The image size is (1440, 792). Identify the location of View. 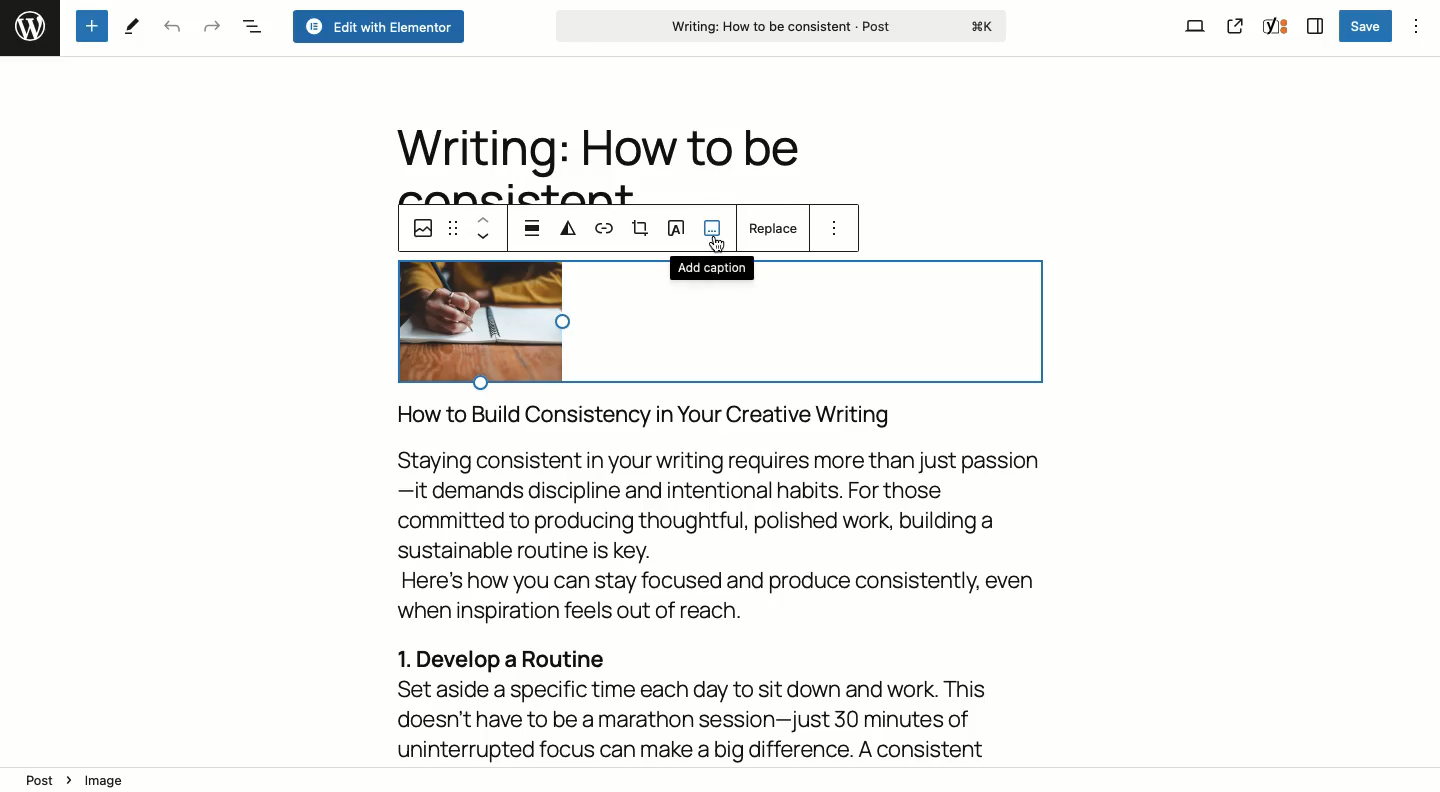
(1195, 25).